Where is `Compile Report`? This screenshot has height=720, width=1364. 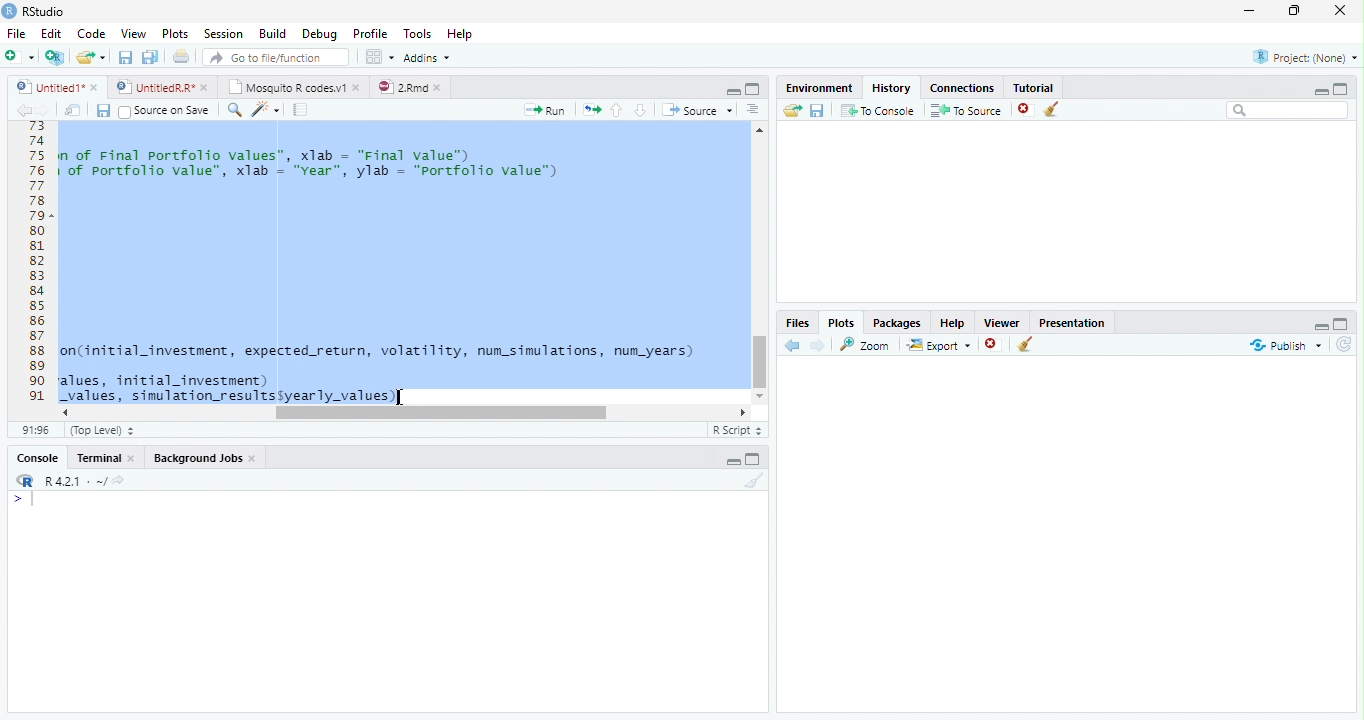 Compile Report is located at coordinates (303, 110).